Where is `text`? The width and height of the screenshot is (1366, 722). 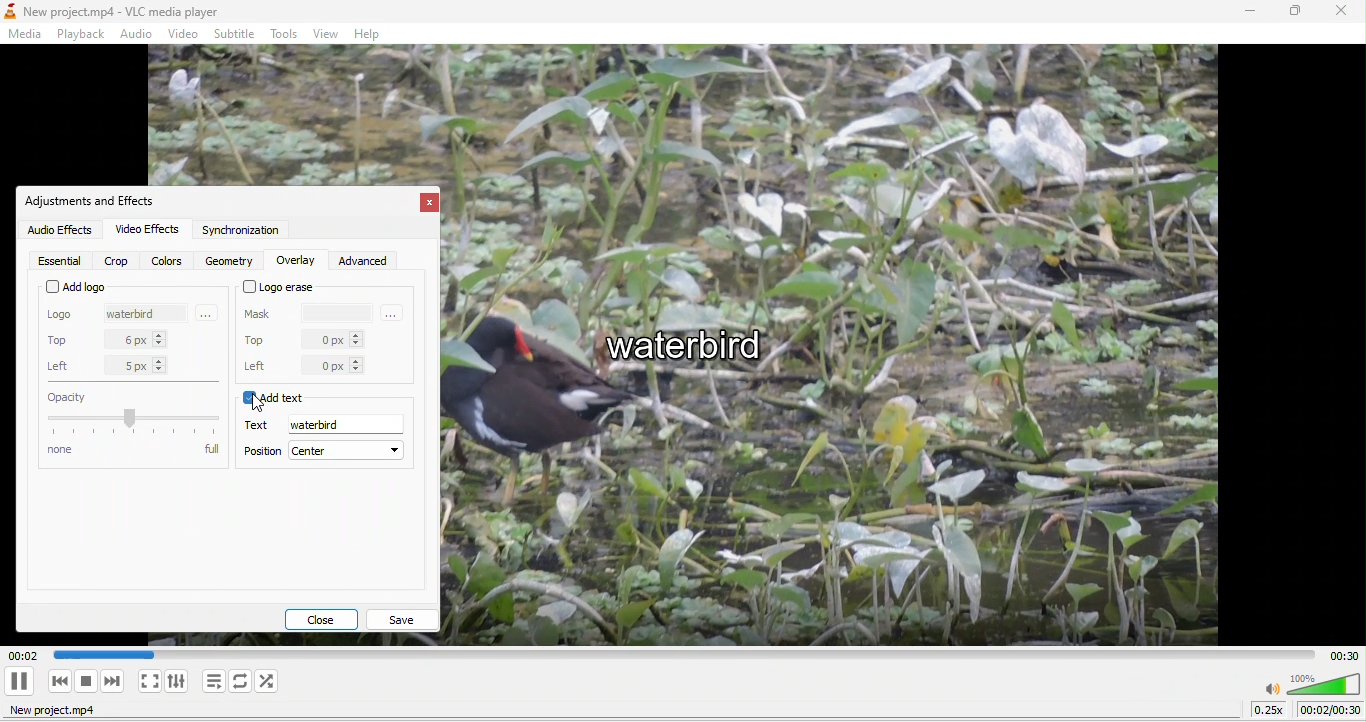 text is located at coordinates (262, 425).